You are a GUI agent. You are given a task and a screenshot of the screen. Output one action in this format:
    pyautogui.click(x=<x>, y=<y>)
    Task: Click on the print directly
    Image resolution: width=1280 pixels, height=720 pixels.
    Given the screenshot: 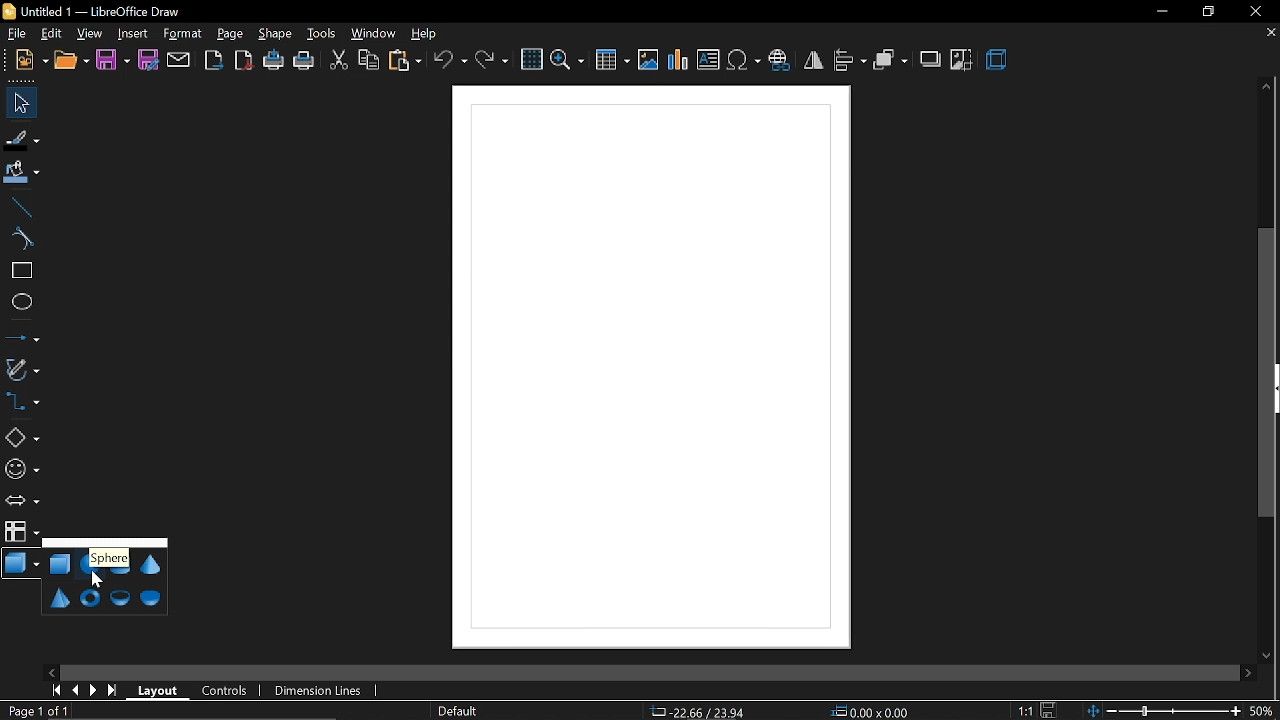 What is the action you would take?
    pyautogui.click(x=274, y=62)
    